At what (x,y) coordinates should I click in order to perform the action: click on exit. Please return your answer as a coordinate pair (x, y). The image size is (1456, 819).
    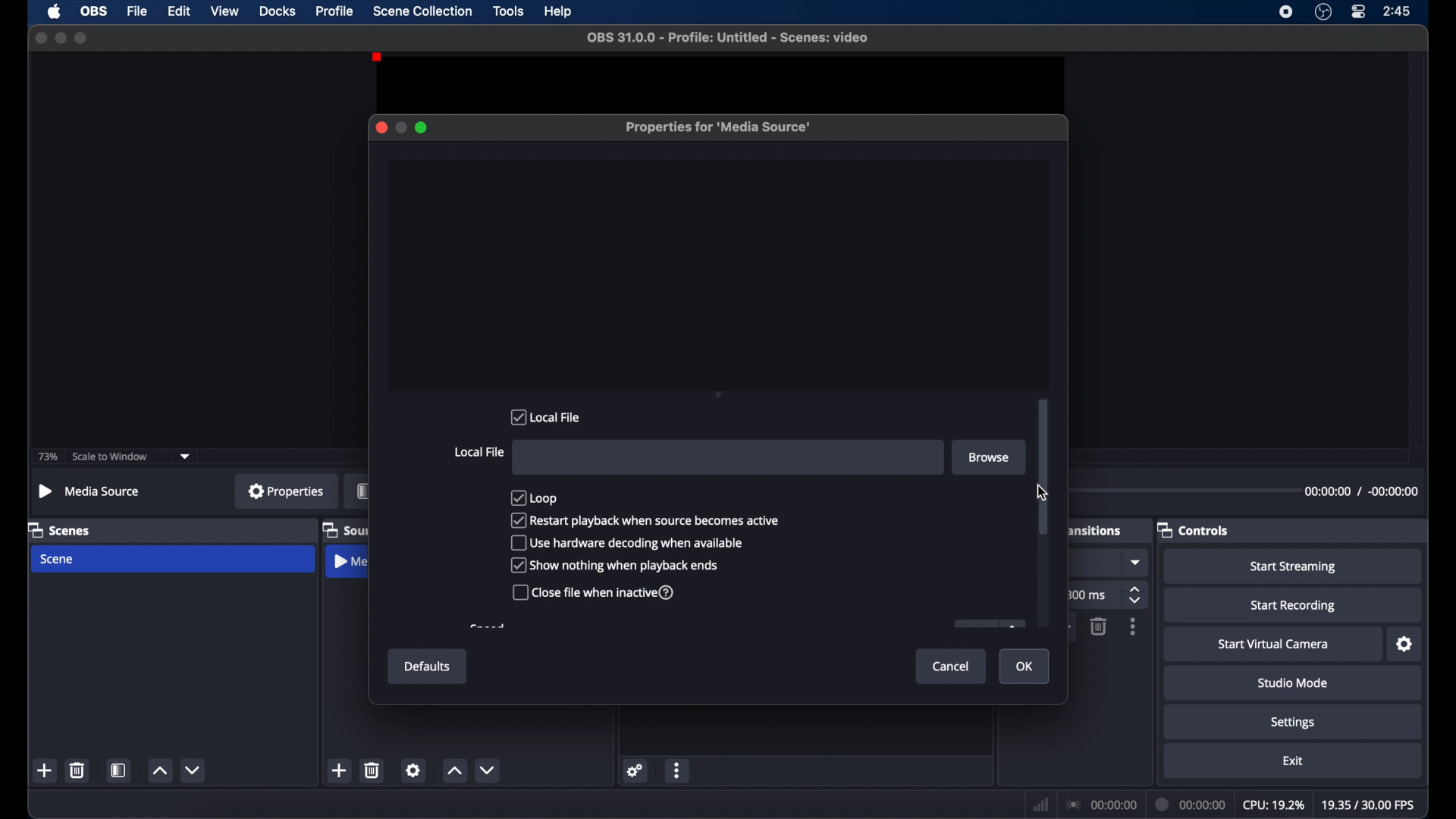
    Looking at the image, I should click on (1293, 761).